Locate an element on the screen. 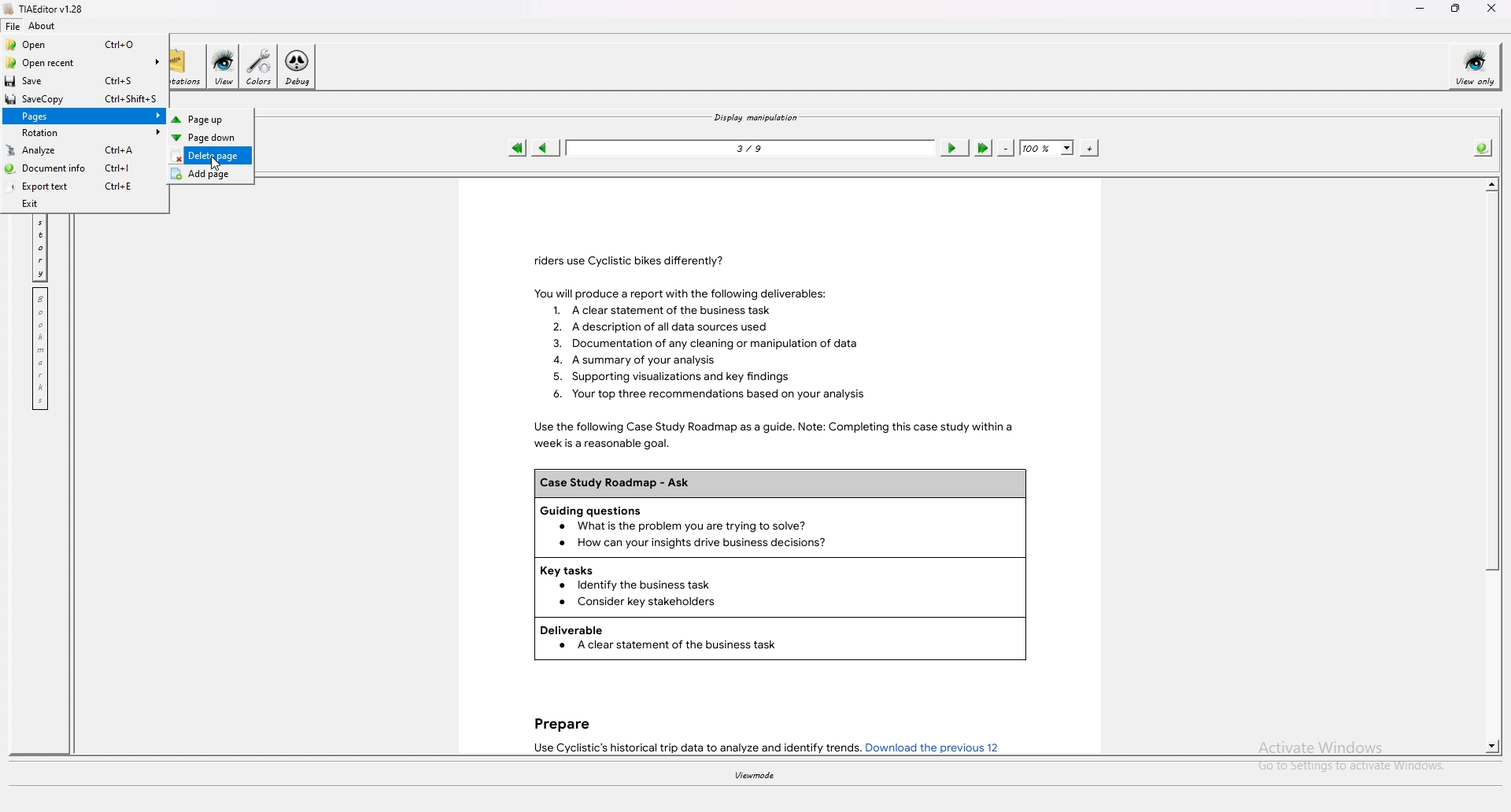 The height and width of the screenshot is (812, 1511). riders use Cyclistic bikes differently? is located at coordinates (623, 257).